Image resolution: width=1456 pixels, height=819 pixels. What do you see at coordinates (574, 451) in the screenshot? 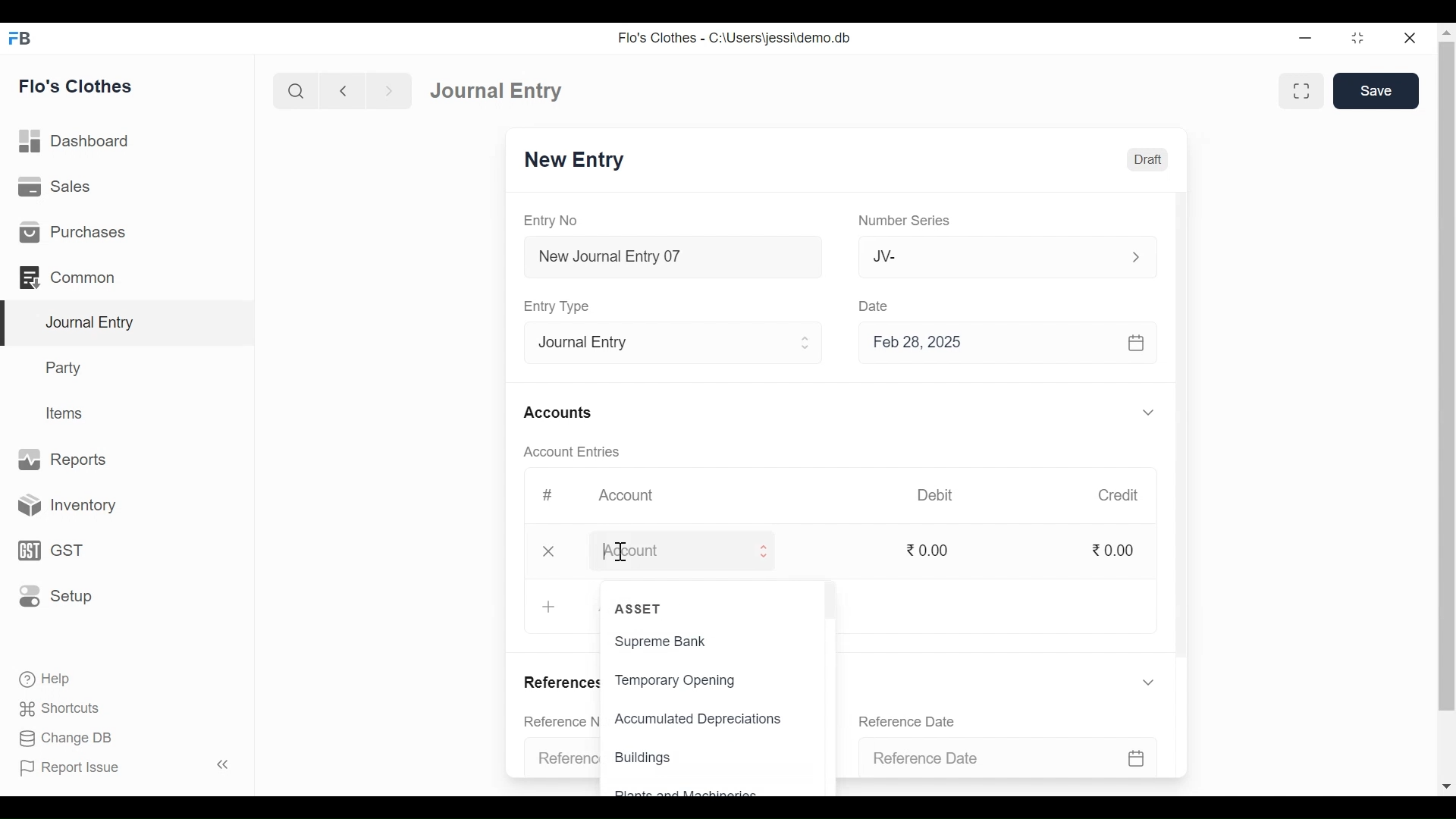
I see `Account Entries` at bounding box center [574, 451].